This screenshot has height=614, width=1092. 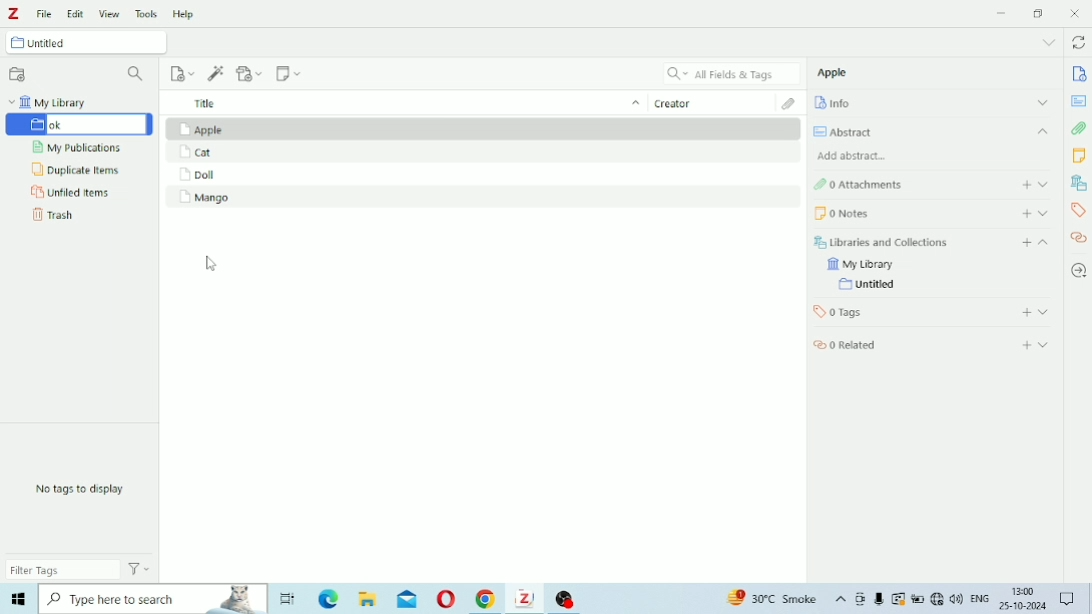 What do you see at coordinates (1027, 243) in the screenshot?
I see `Add` at bounding box center [1027, 243].